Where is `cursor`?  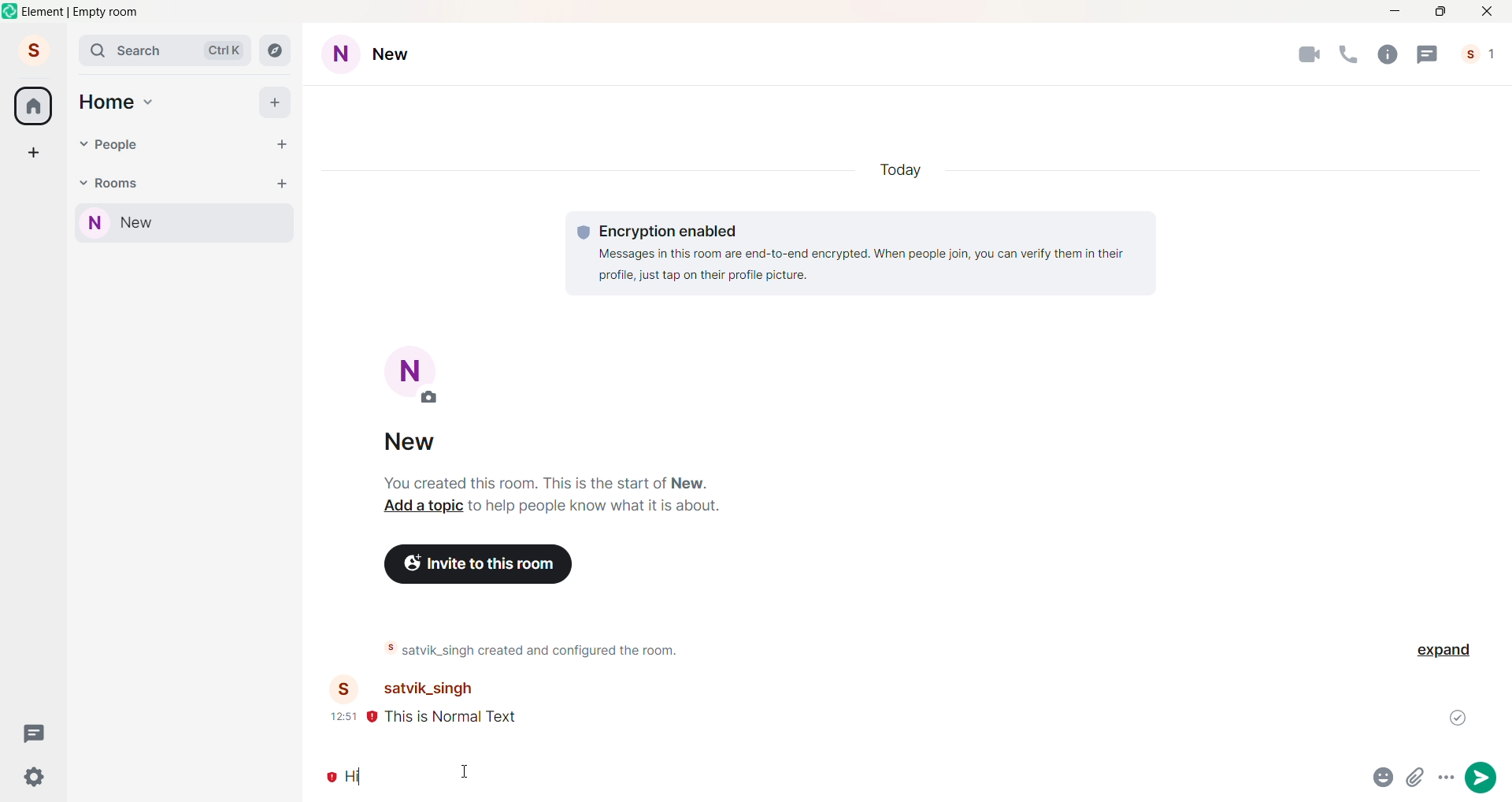 cursor is located at coordinates (466, 772).